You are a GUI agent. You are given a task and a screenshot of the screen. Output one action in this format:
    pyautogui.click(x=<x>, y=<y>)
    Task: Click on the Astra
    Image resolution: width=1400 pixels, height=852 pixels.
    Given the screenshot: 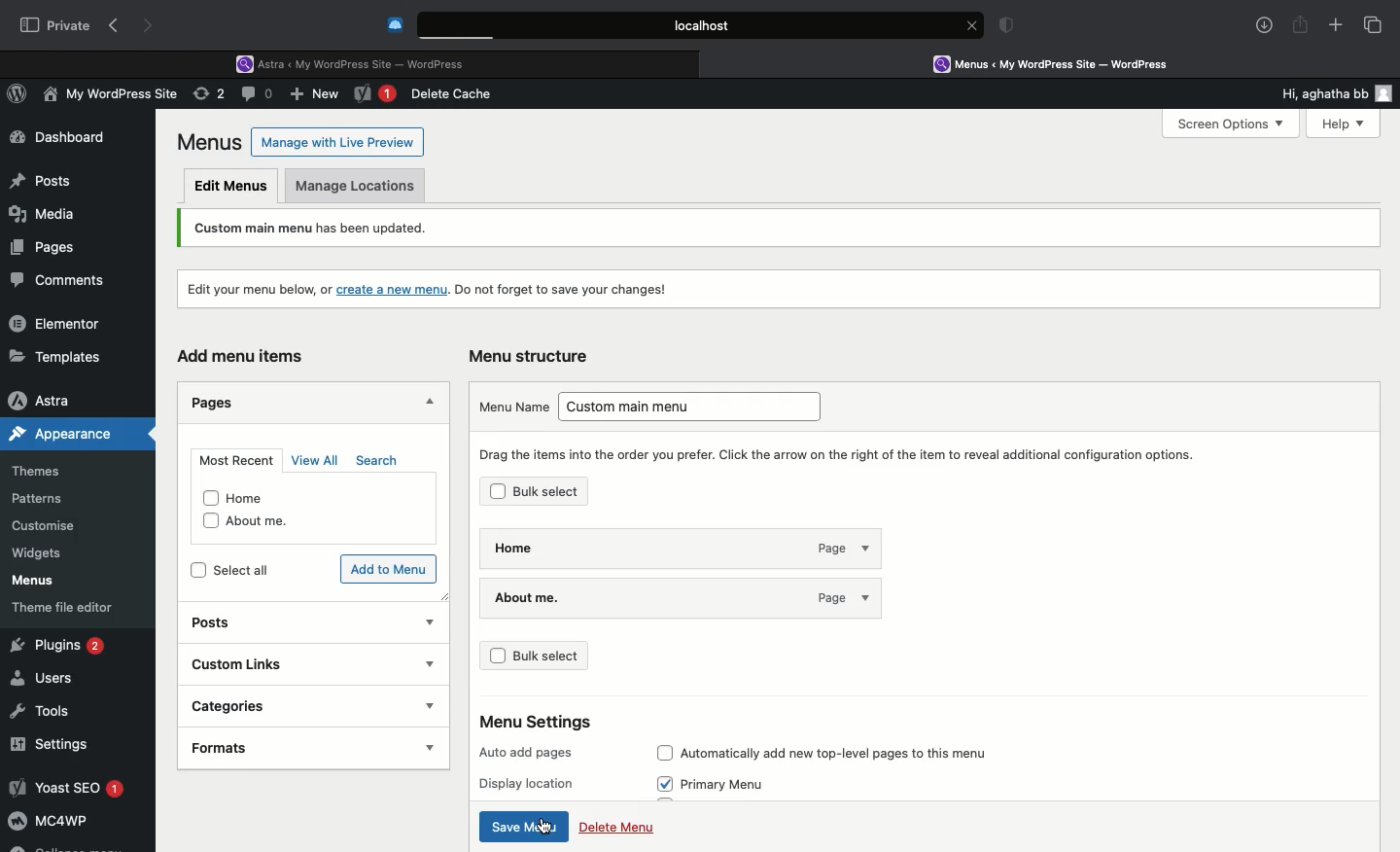 What is the action you would take?
    pyautogui.click(x=57, y=400)
    